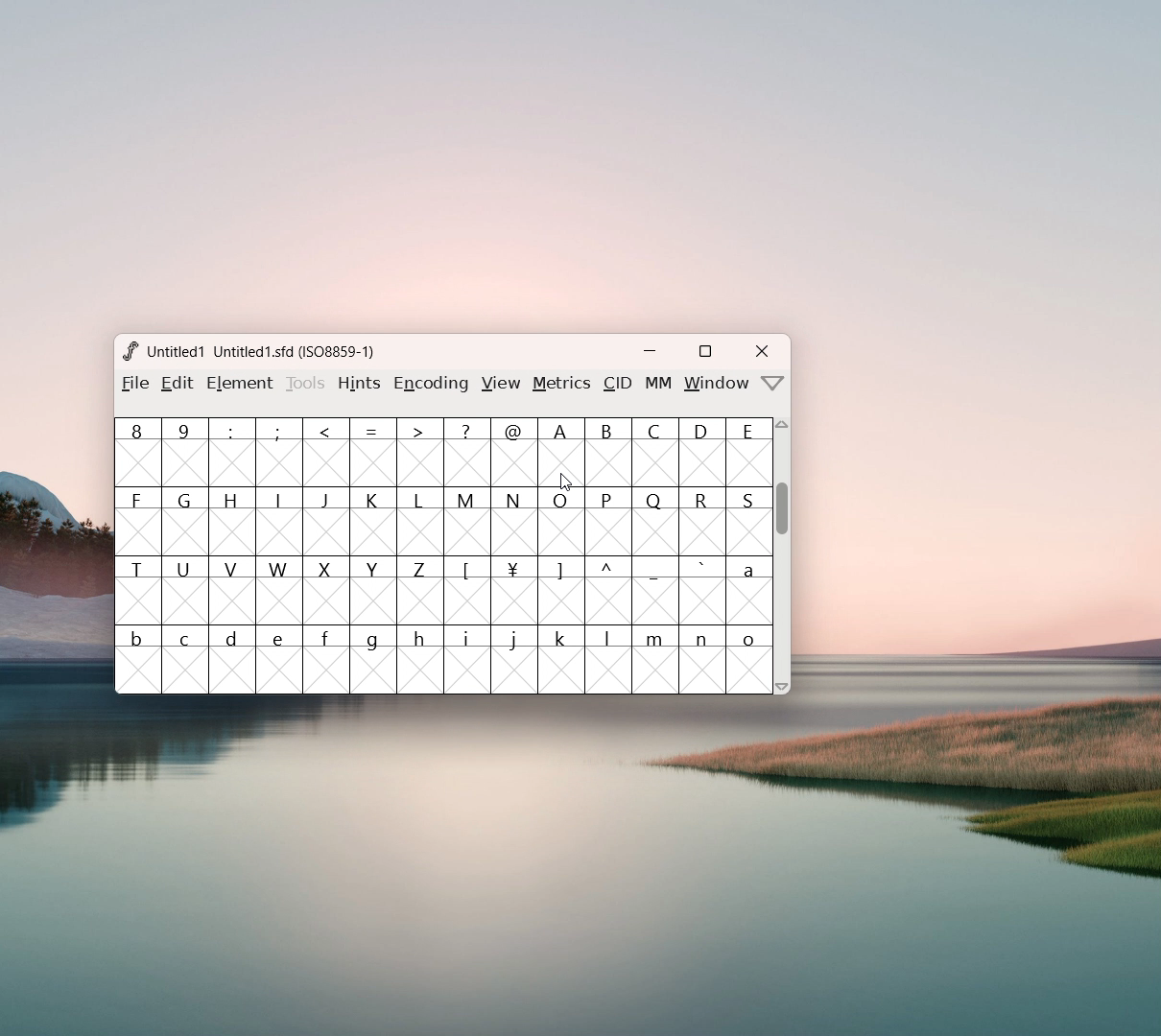 This screenshot has width=1161, height=1036. I want to click on W, so click(280, 590).